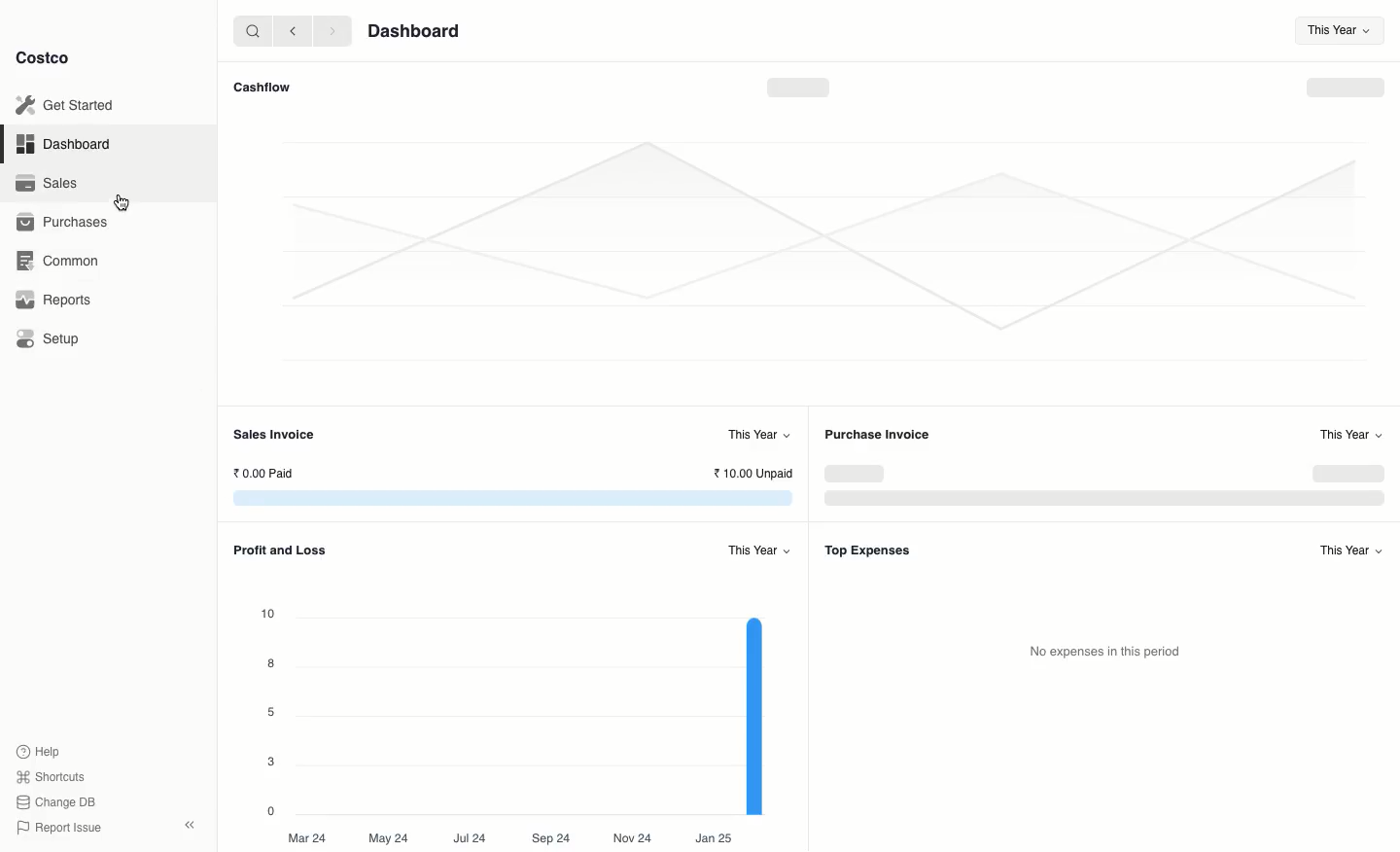 The width and height of the screenshot is (1400, 852). What do you see at coordinates (61, 828) in the screenshot?
I see `Report Issue` at bounding box center [61, 828].